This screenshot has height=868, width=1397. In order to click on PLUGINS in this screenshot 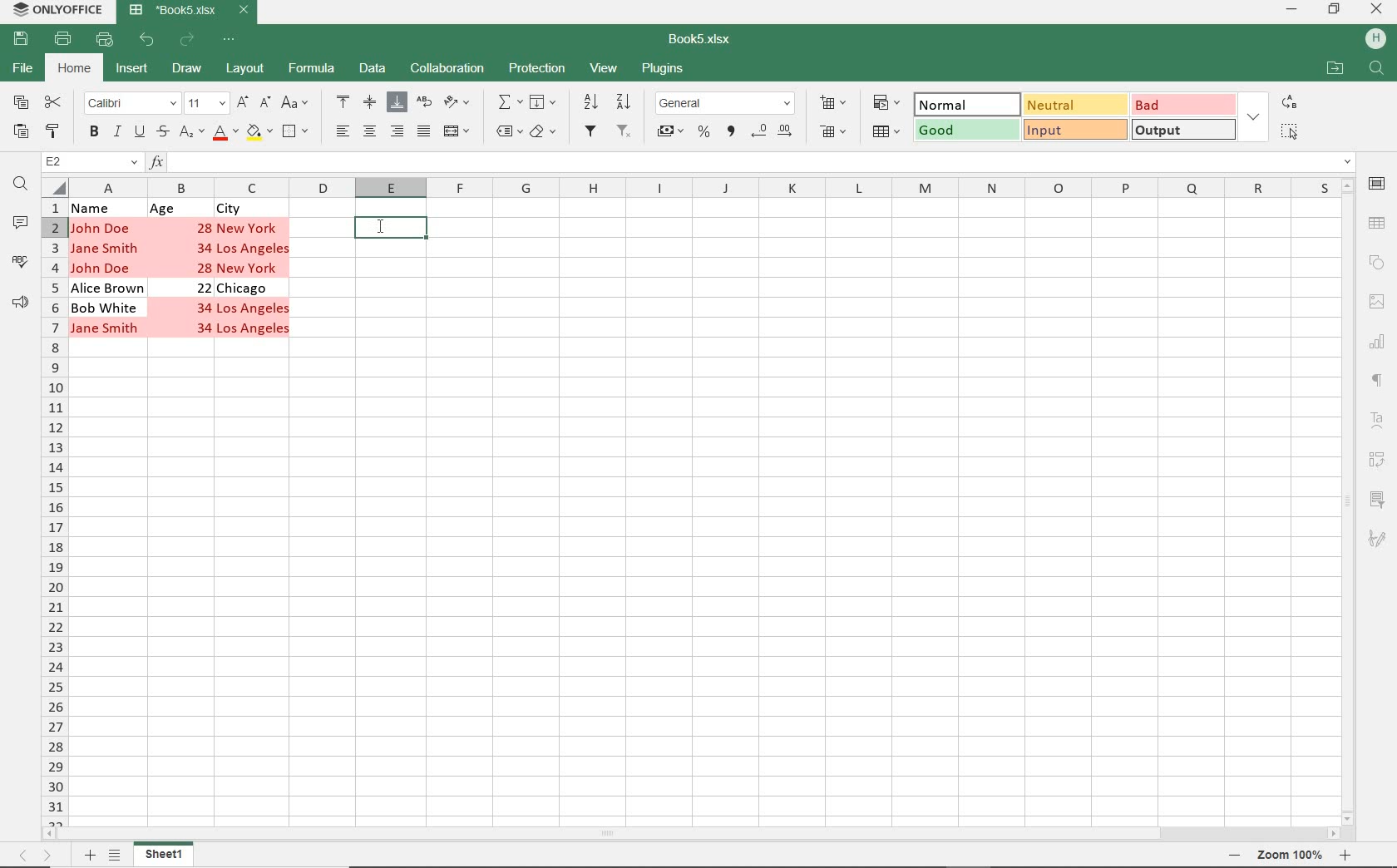, I will do `click(664, 70)`.